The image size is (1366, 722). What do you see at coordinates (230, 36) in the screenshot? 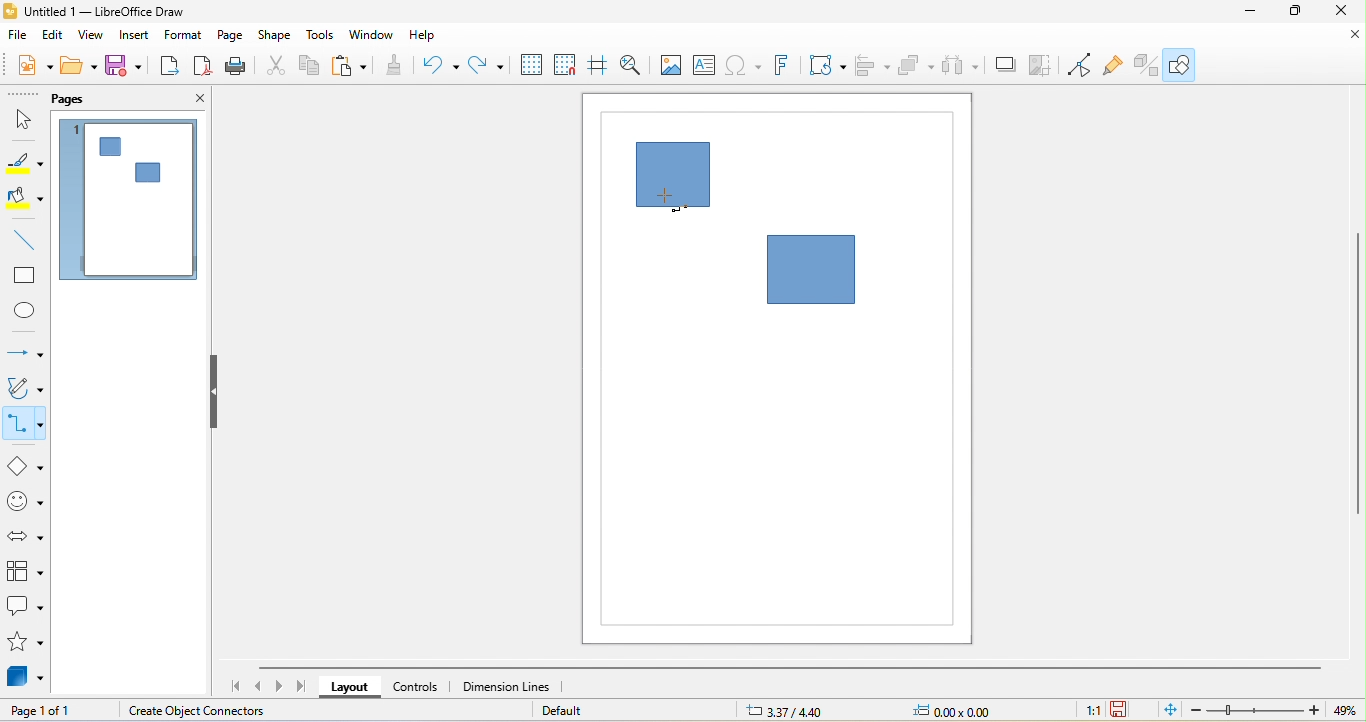
I see `page` at bounding box center [230, 36].